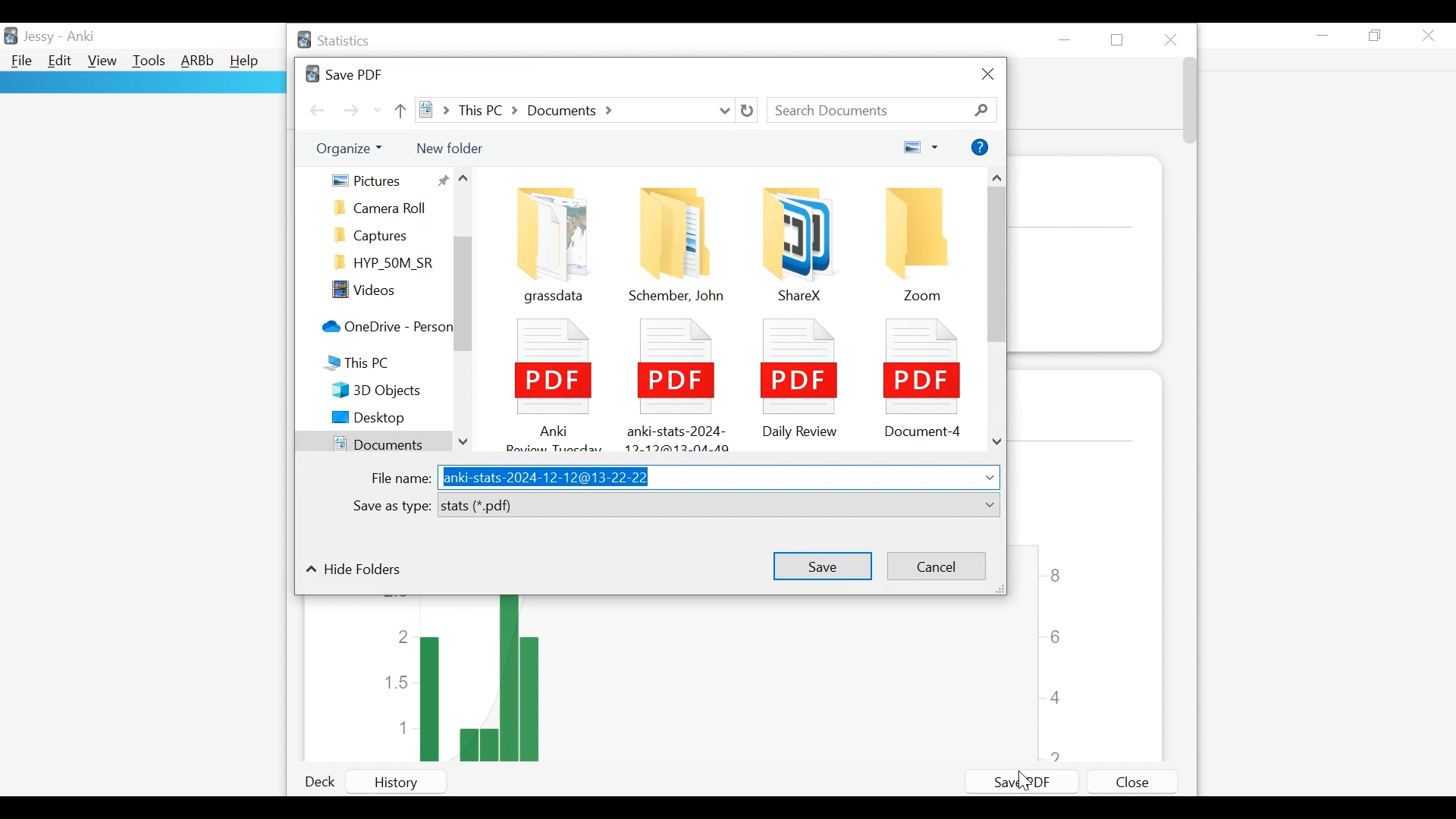 Image resolution: width=1456 pixels, height=819 pixels. I want to click on Folder, so click(385, 264).